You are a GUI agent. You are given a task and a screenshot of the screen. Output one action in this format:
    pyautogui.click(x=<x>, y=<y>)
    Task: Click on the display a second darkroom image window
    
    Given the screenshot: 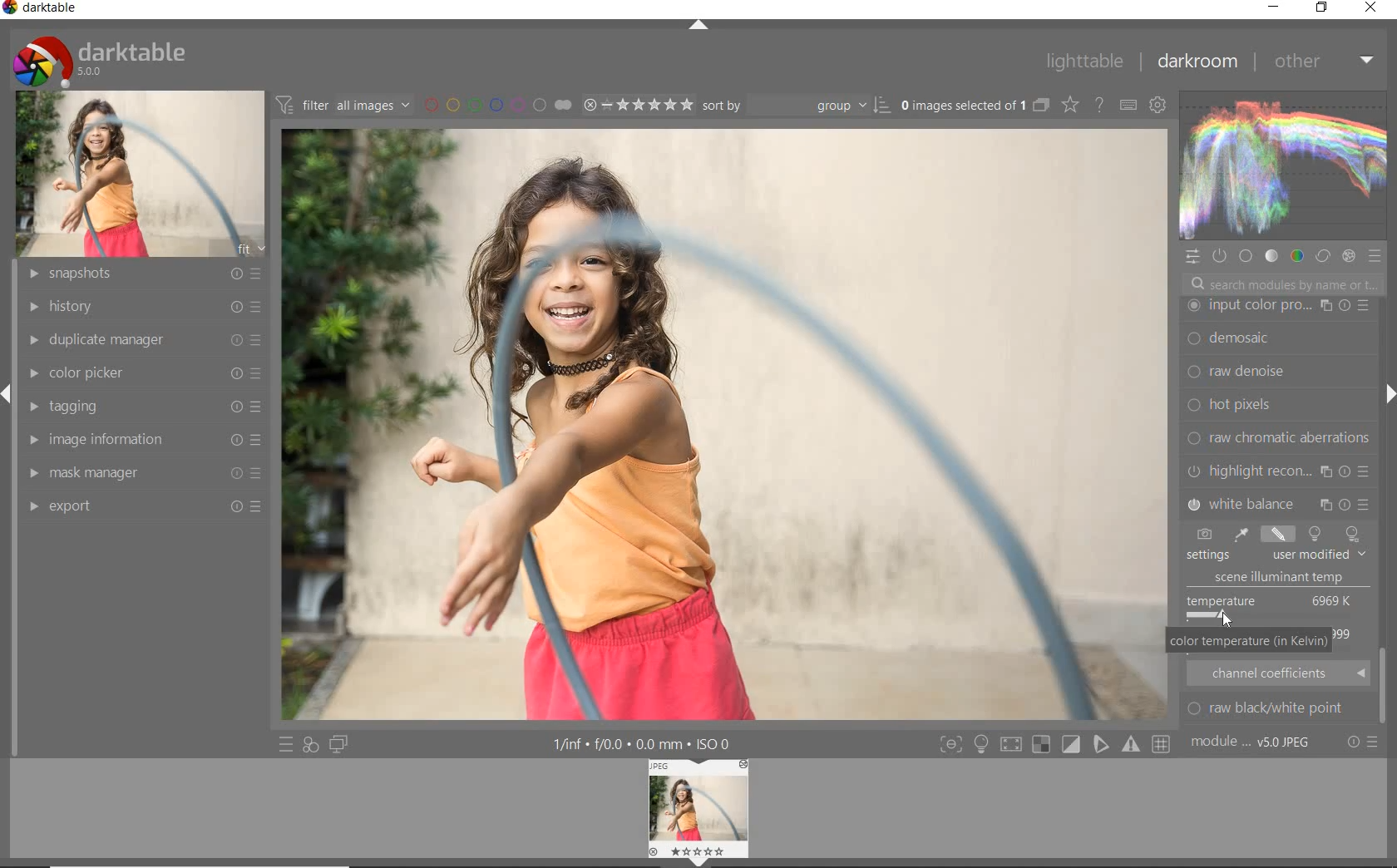 What is the action you would take?
    pyautogui.click(x=342, y=744)
    